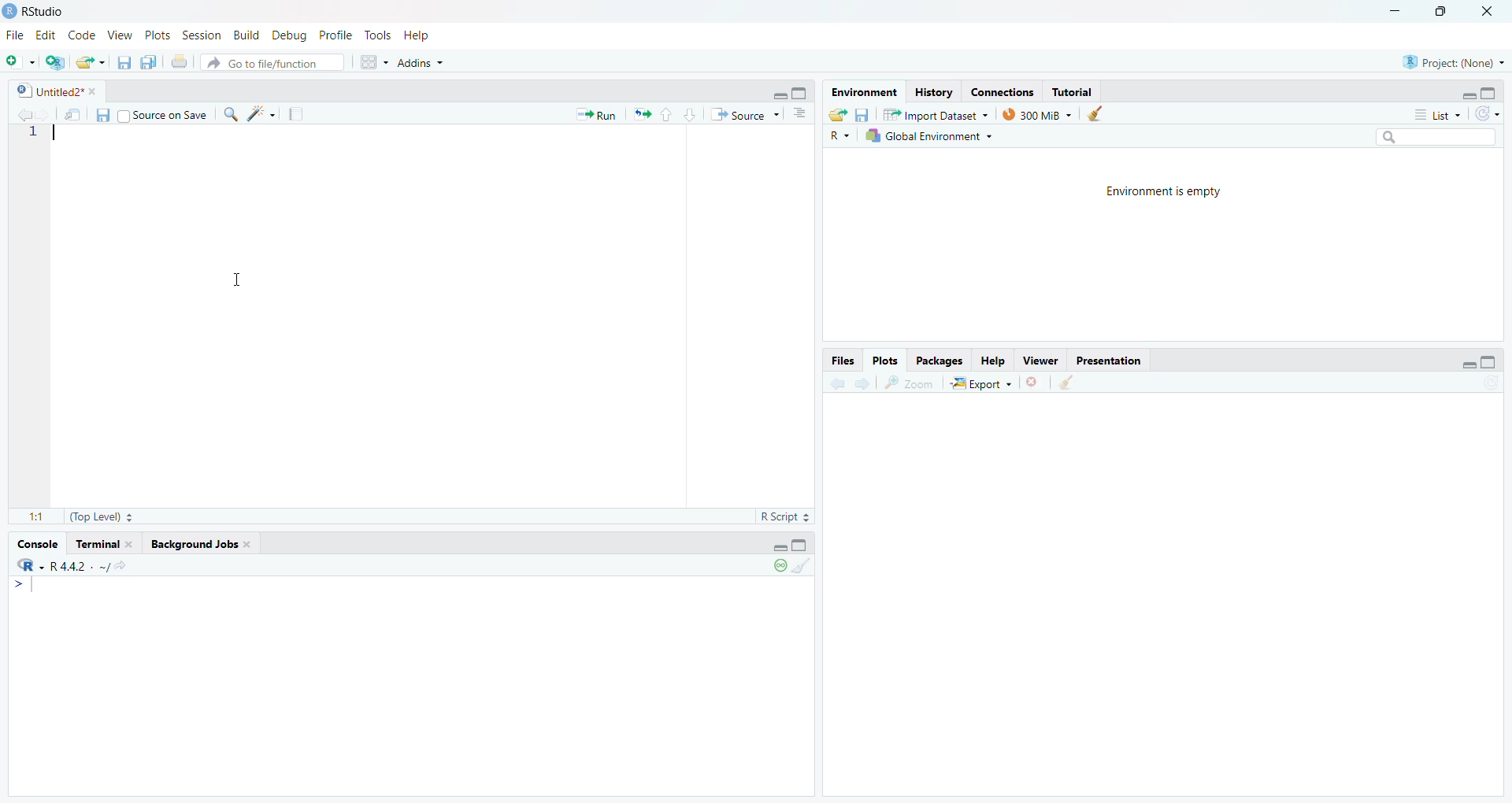  Describe the element at coordinates (1464, 93) in the screenshot. I see `hide r script` at that location.